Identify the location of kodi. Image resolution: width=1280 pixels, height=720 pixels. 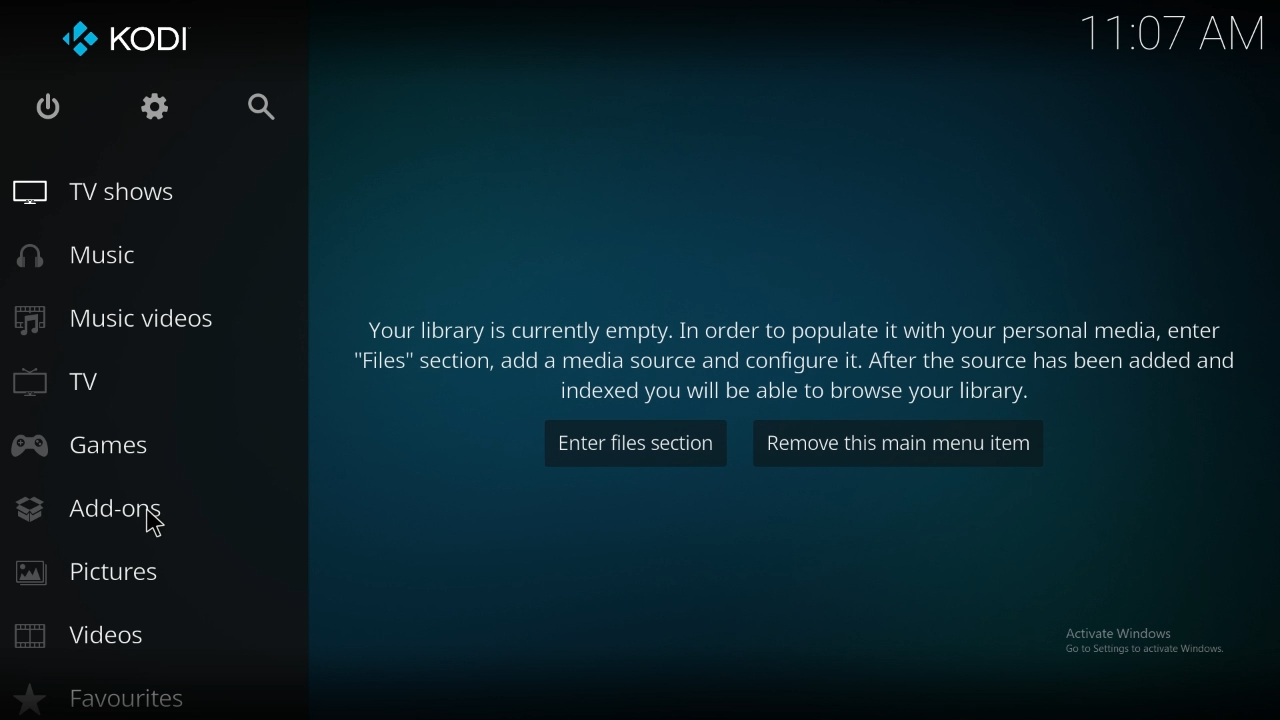
(126, 37).